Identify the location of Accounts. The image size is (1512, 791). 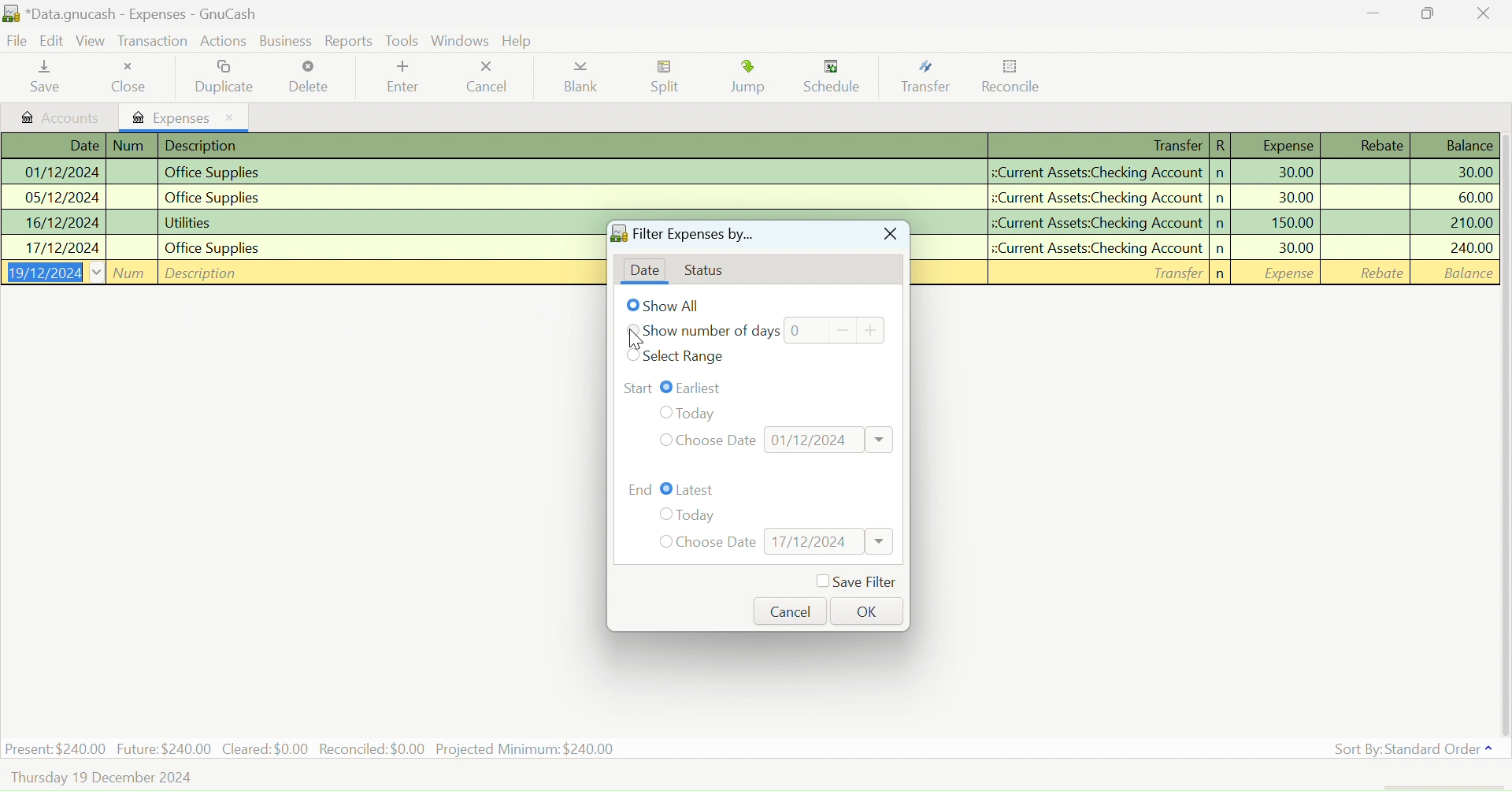
(61, 117).